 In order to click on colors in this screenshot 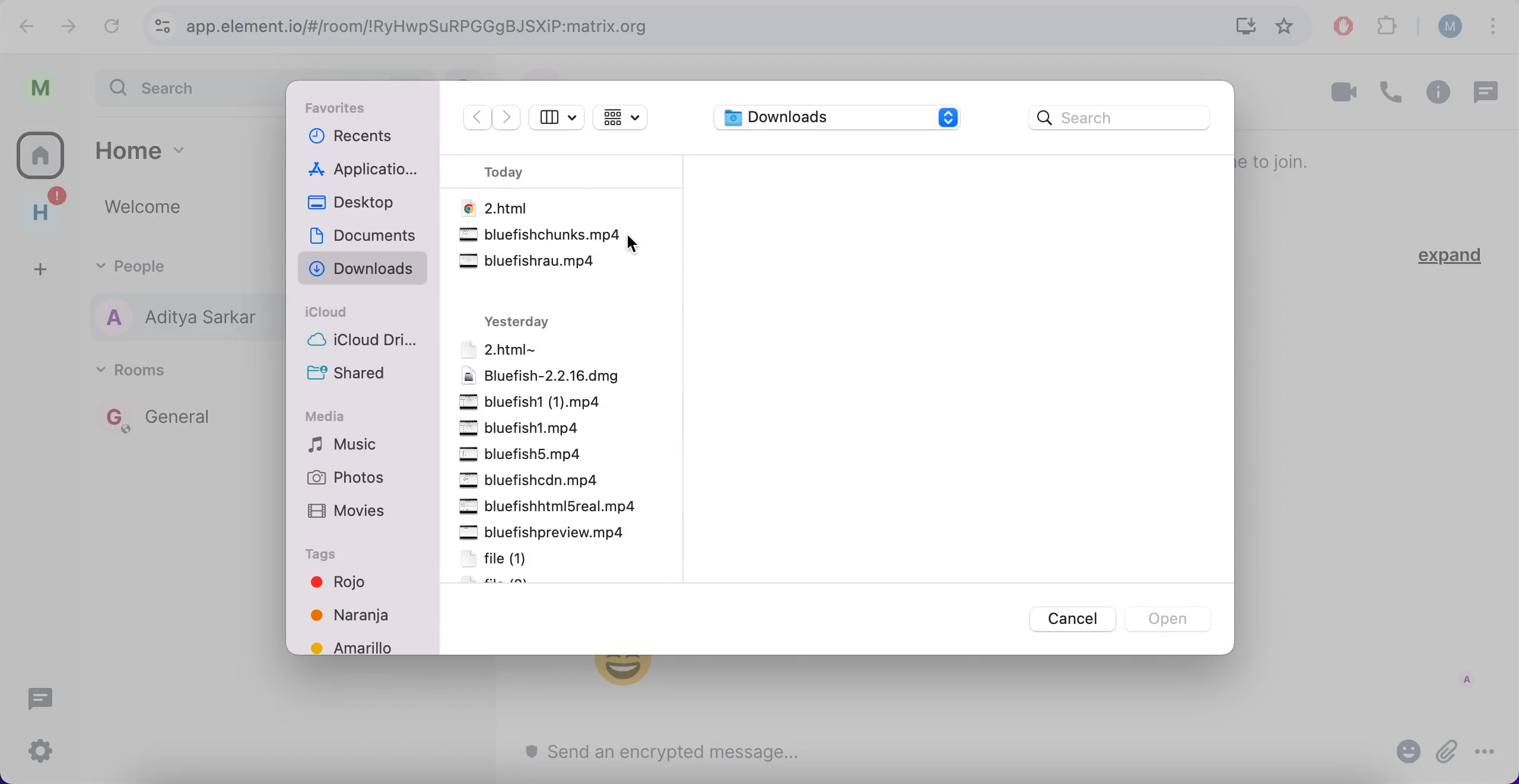, I will do `click(363, 614)`.